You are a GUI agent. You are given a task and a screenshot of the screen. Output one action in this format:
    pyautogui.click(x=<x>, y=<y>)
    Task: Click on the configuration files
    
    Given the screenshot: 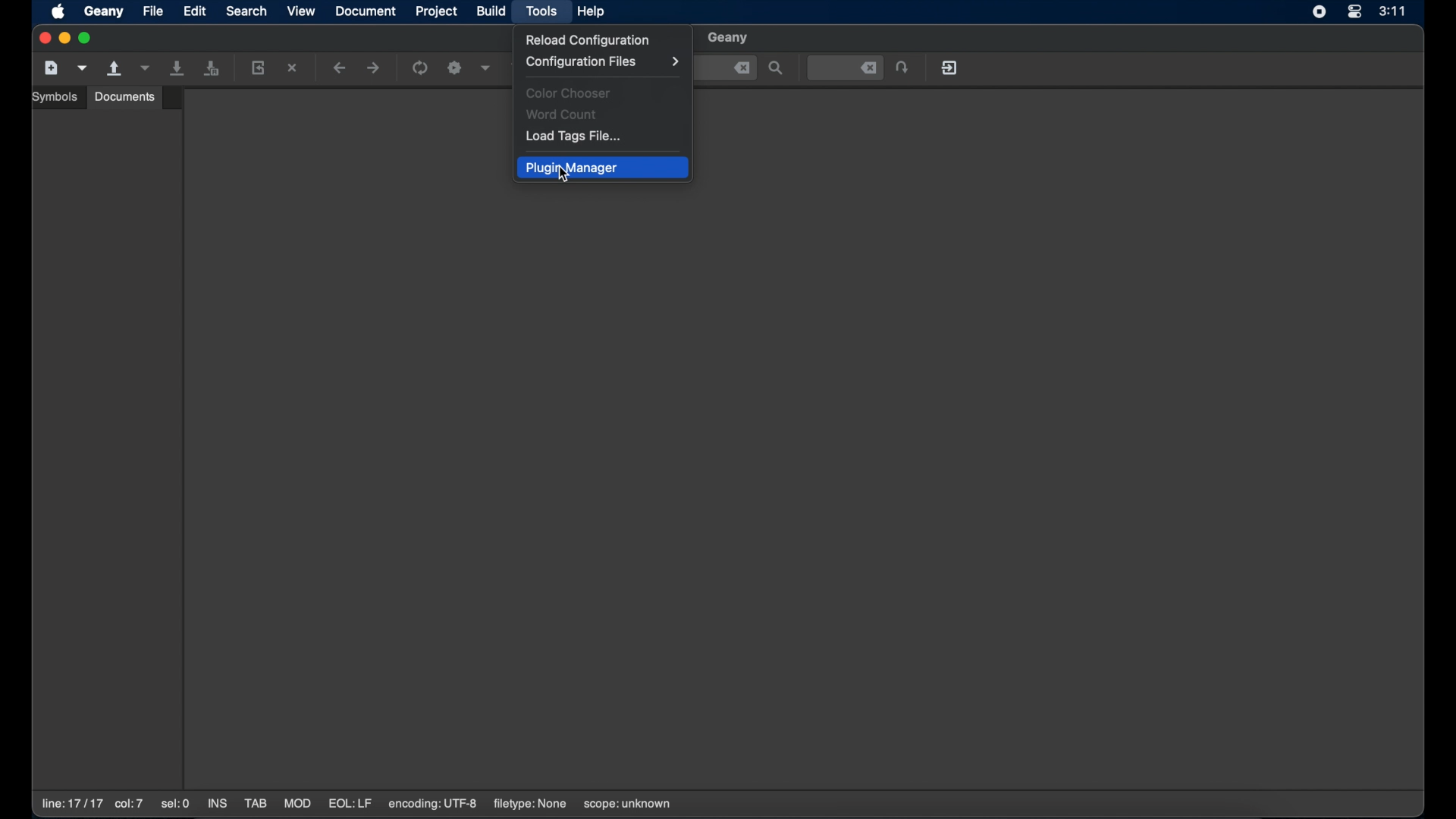 What is the action you would take?
    pyautogui.click(x=603, y=62)
    